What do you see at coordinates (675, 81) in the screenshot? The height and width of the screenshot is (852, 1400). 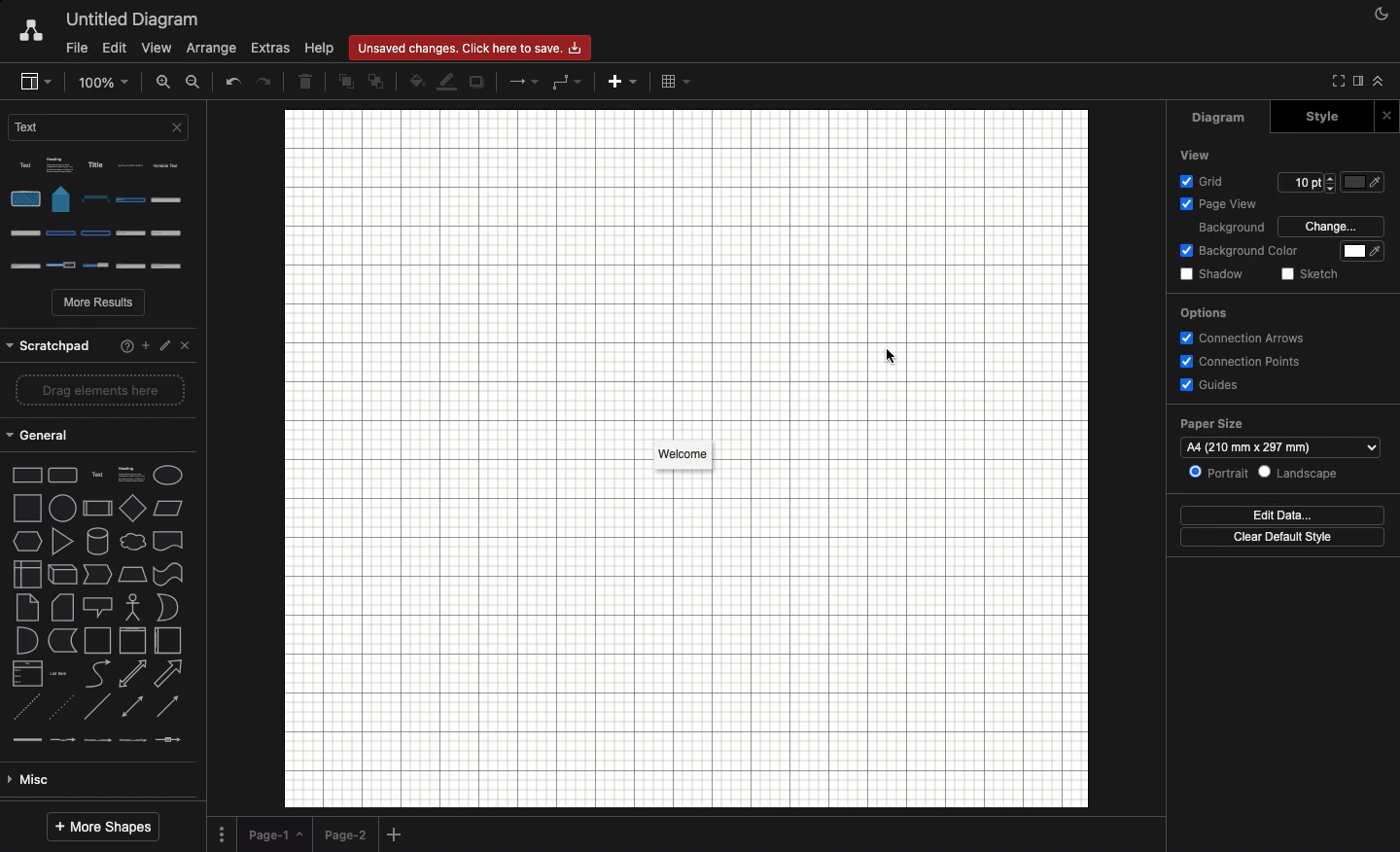 I see `Table` at bounding box center [675, 81].